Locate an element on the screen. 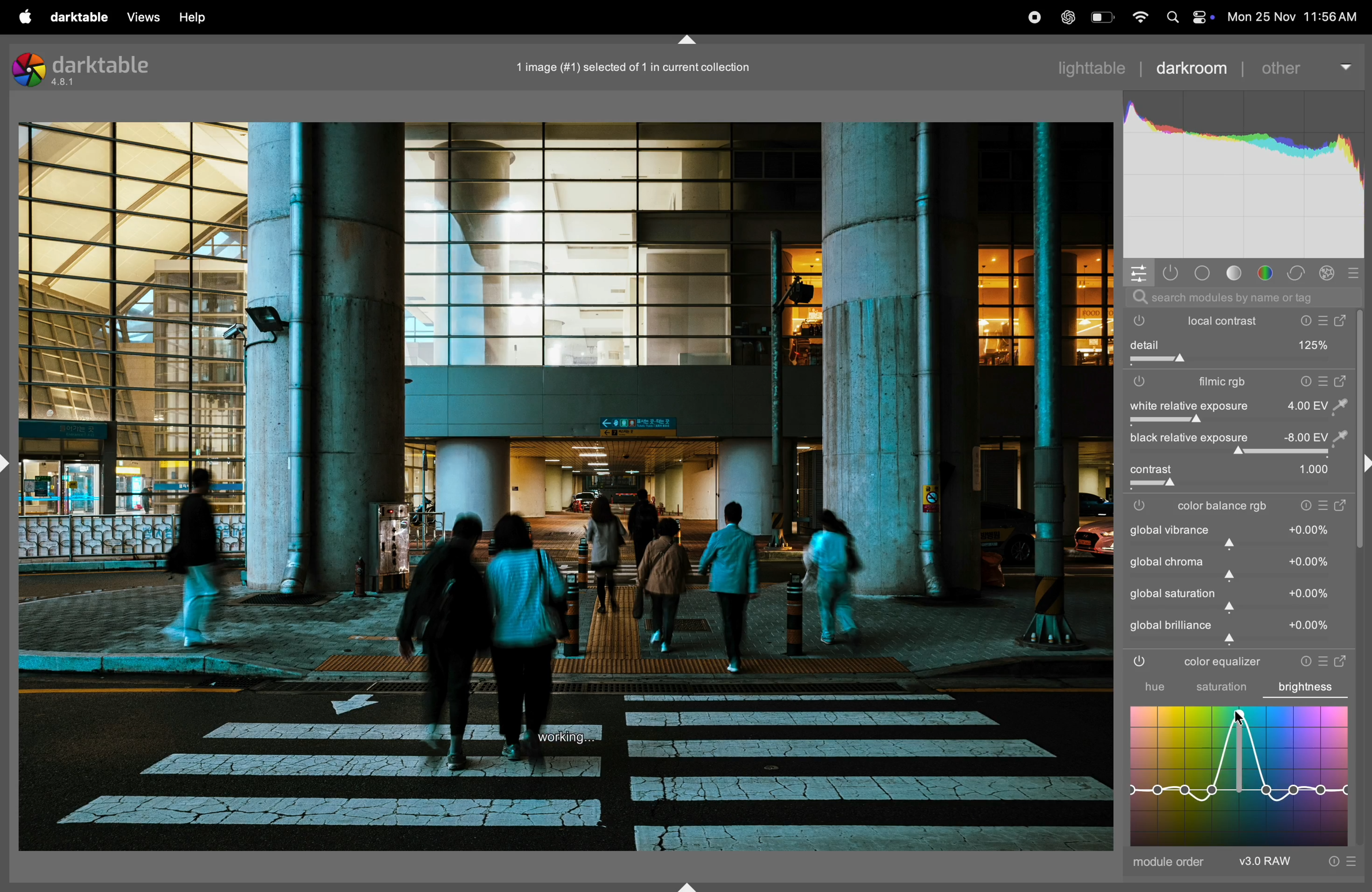 This screenshot has width=1372, height=892. detail is located at coordinates (1238, 344).